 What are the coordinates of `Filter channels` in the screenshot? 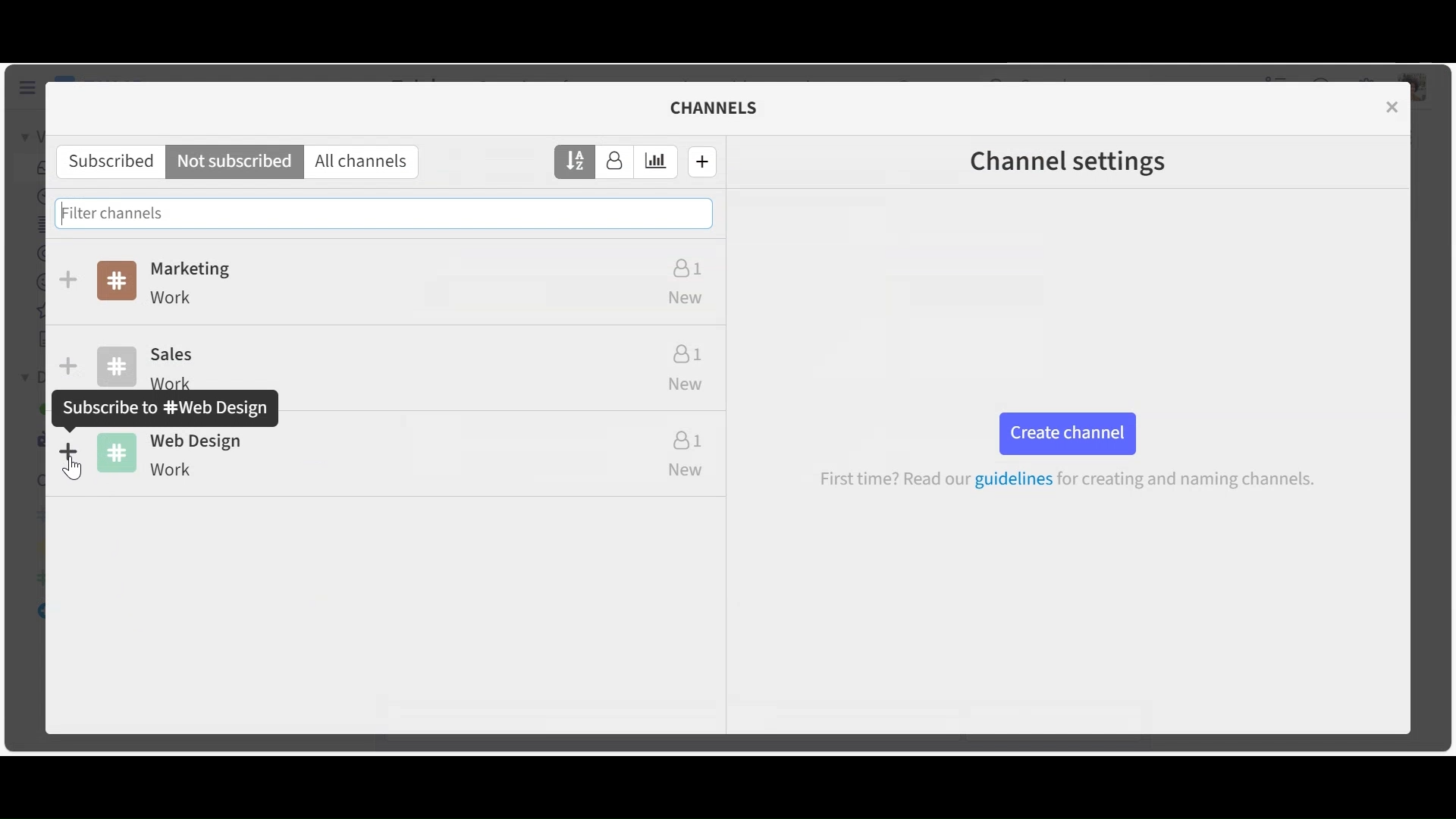 It's located at (384, 213).